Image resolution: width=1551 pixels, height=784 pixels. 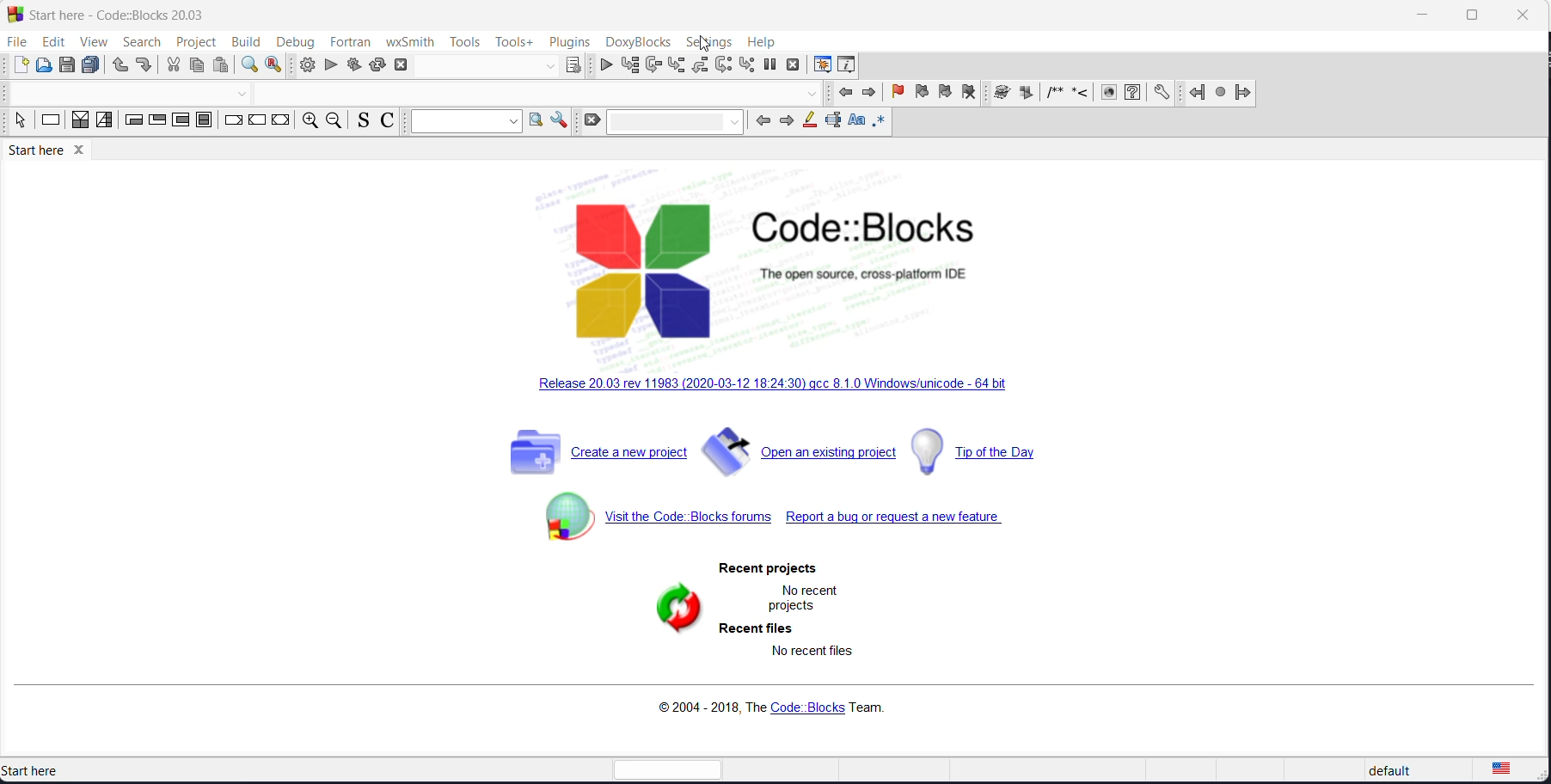 I want to click on icon, so click(x=1002, y=94).